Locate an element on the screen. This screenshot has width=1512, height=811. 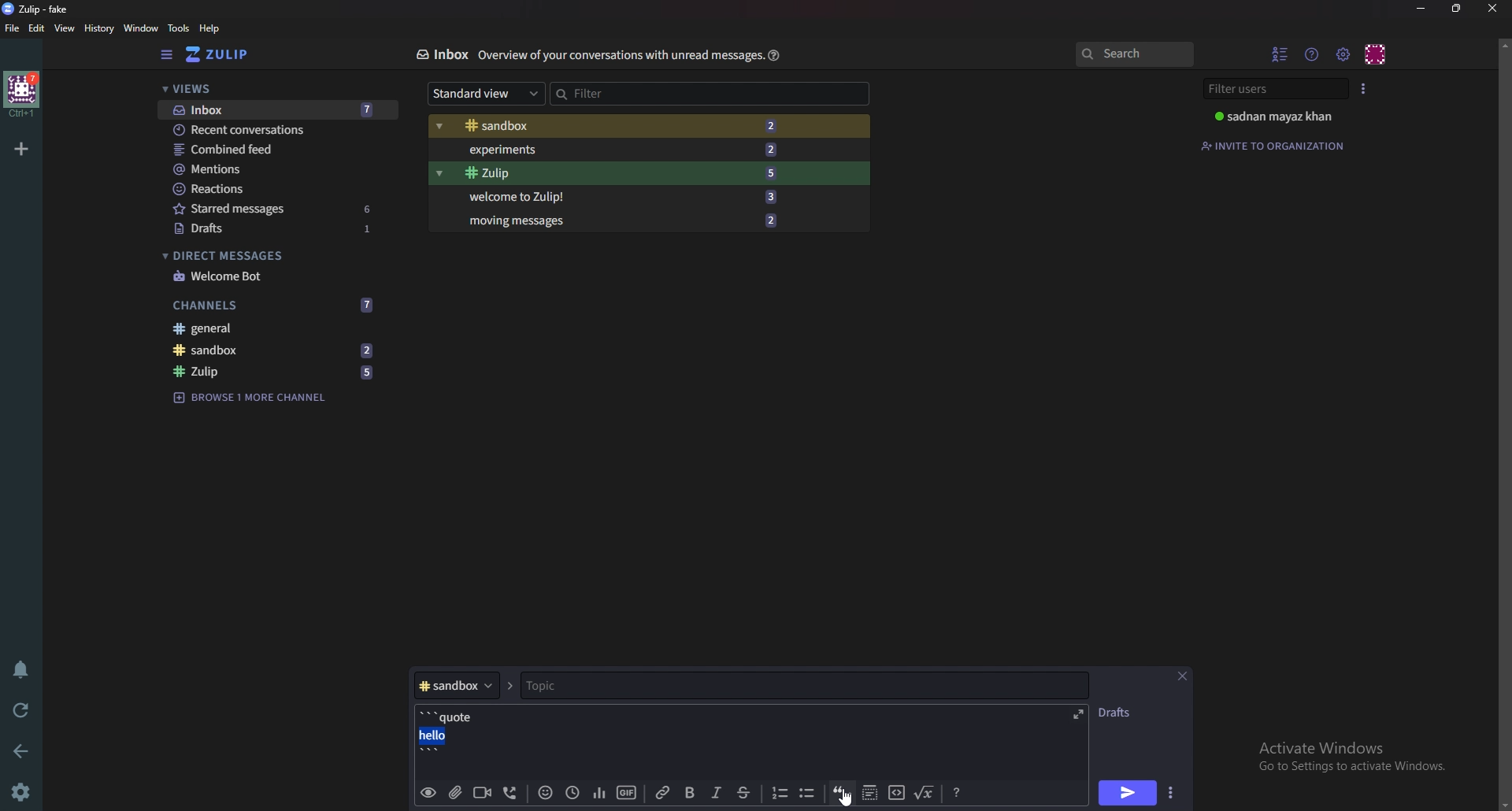
Hide sidebar is located at coordinates (167, 55).